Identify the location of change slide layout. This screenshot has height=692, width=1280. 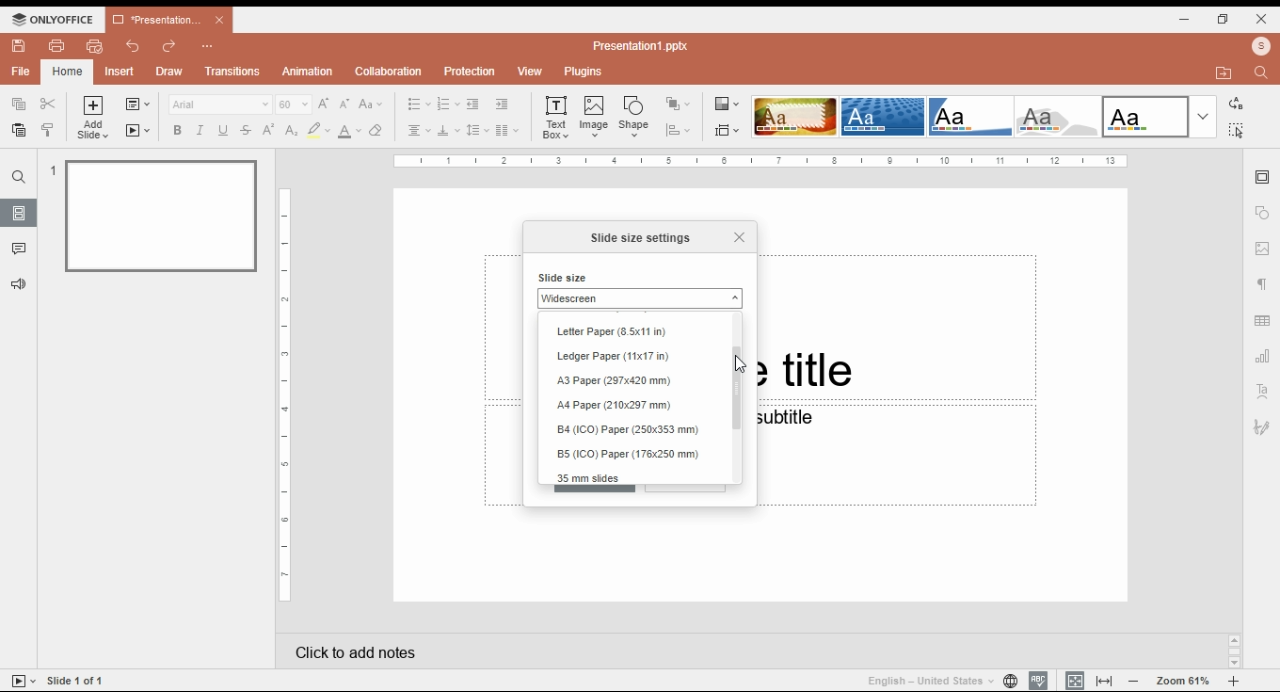
(137, 104).